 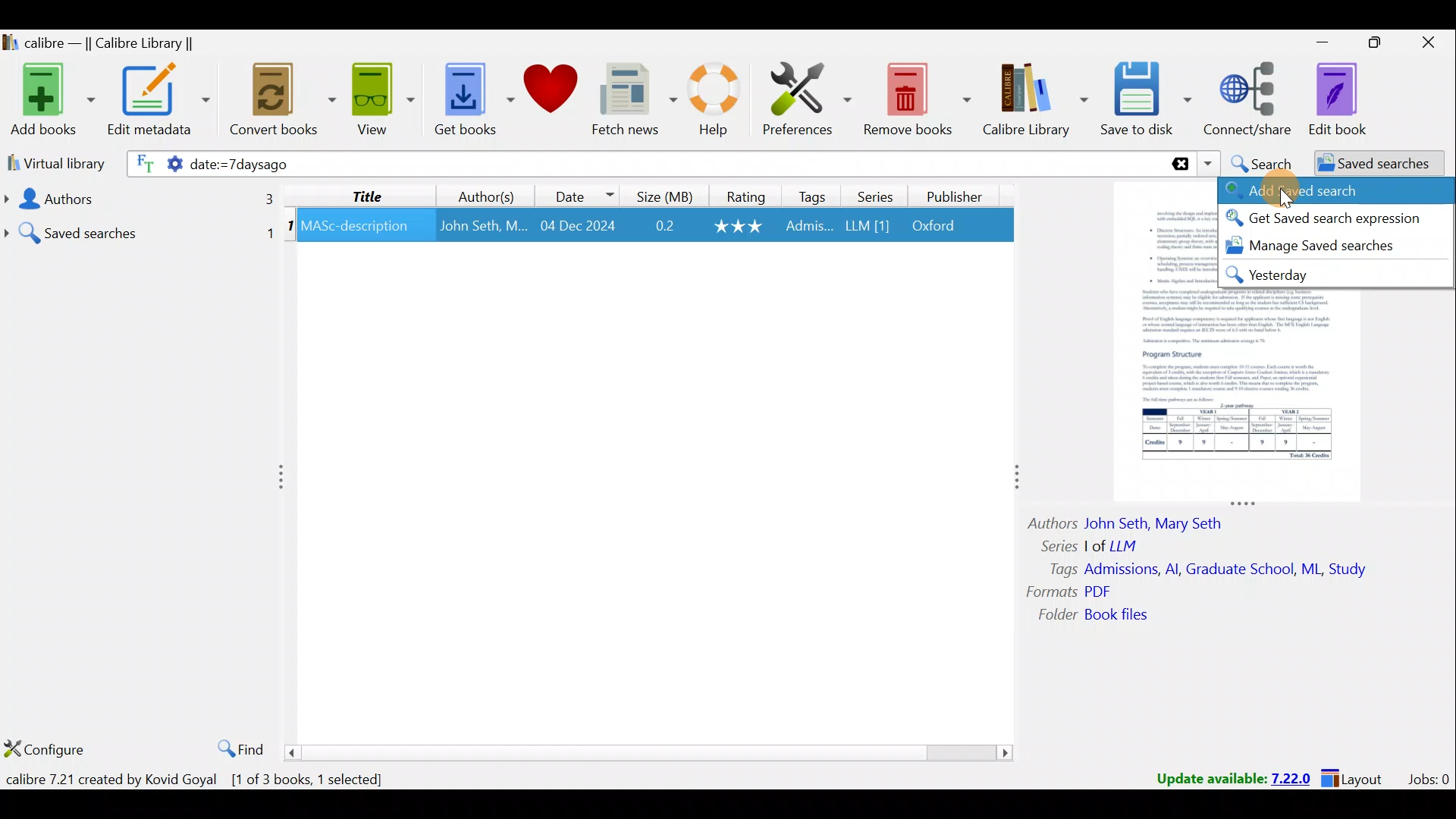 I want to click on Edit book, so click(x=1350, y=99).